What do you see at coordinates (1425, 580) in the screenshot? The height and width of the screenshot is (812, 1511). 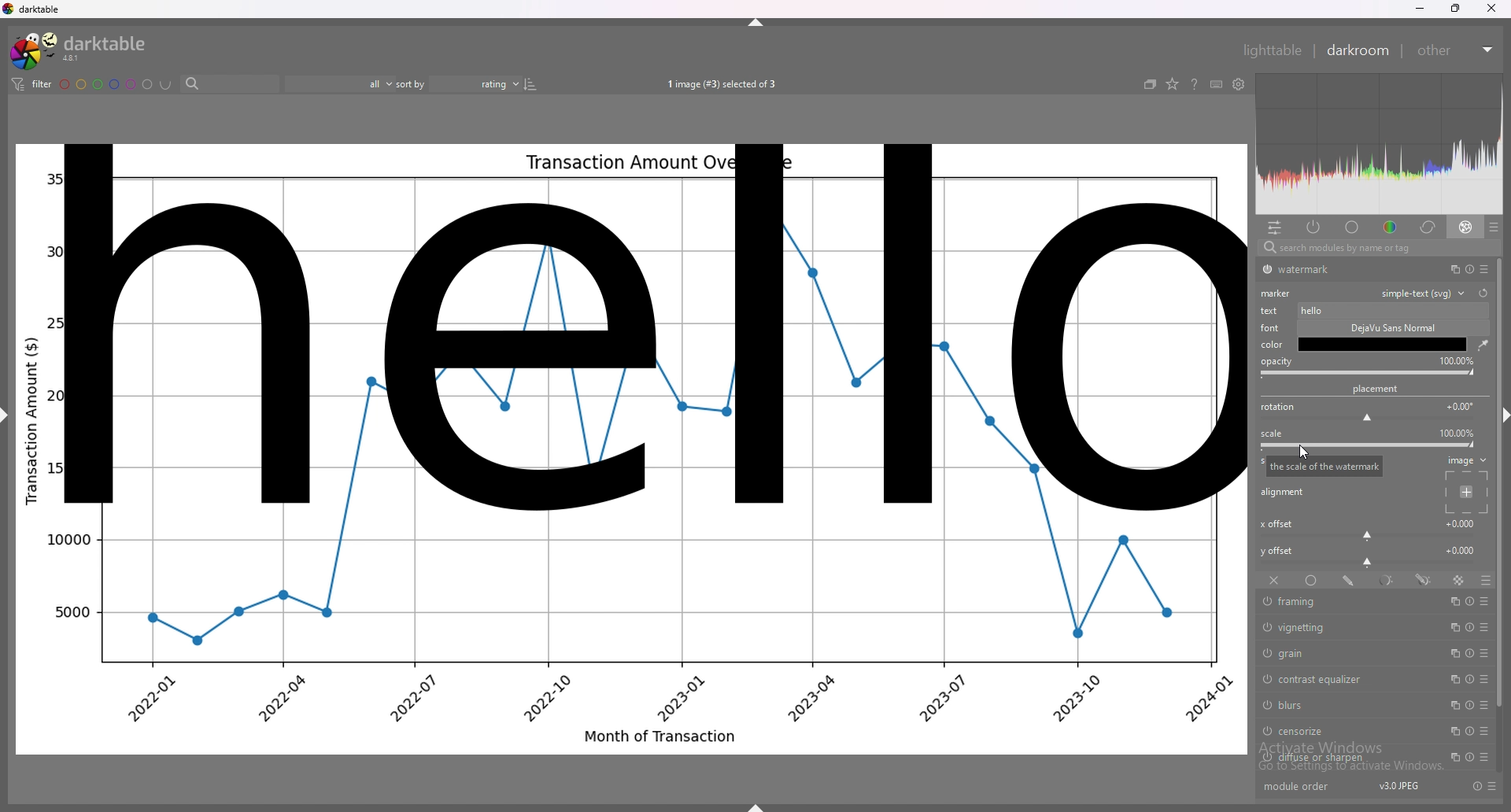 I see `drawn and parametric mask` at bounding box center [1425, 580].